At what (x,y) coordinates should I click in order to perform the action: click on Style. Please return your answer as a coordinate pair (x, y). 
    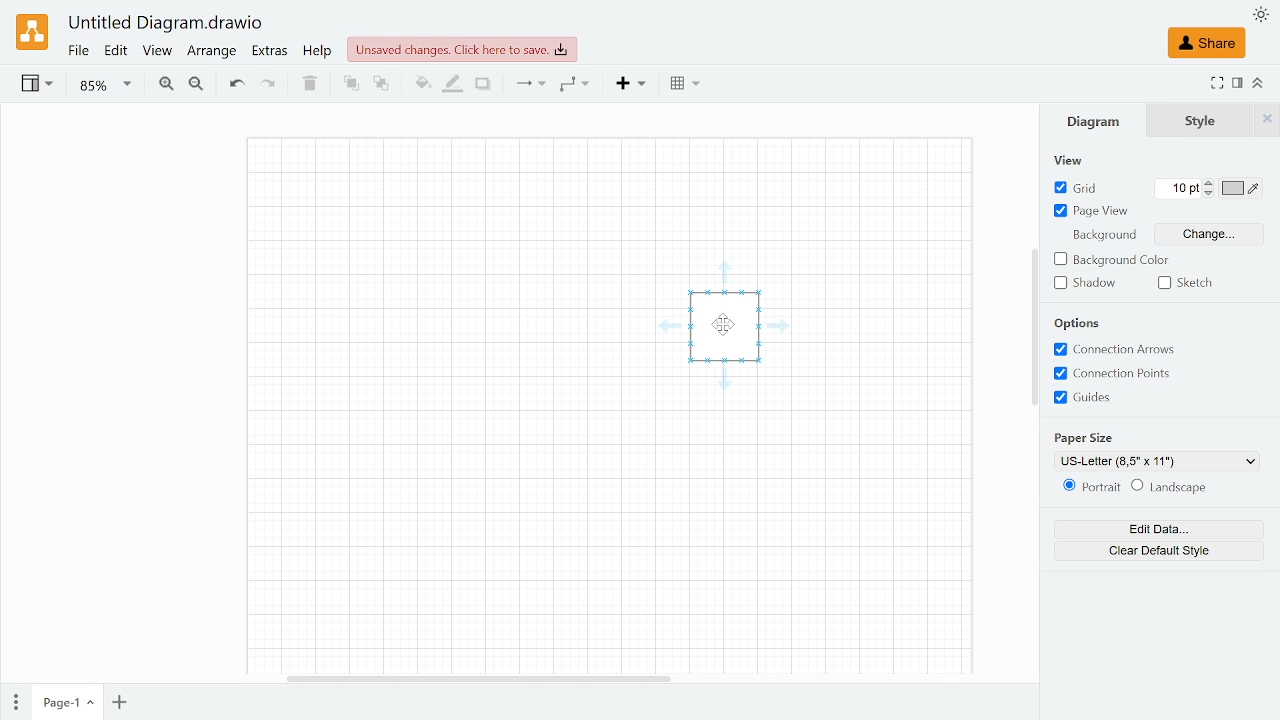
    Looking at the image, I should click on (1200, 121).